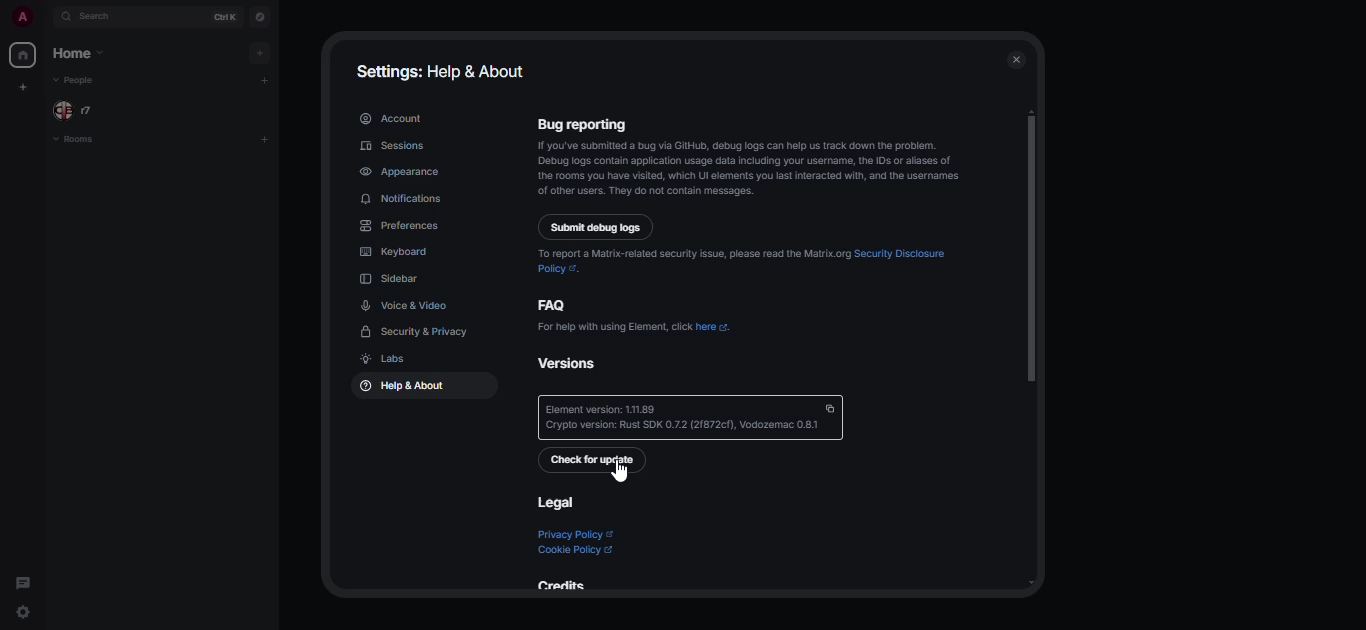 The height and width of the screenshot is (630, 1366). I want to click on home, so click(86, 54).